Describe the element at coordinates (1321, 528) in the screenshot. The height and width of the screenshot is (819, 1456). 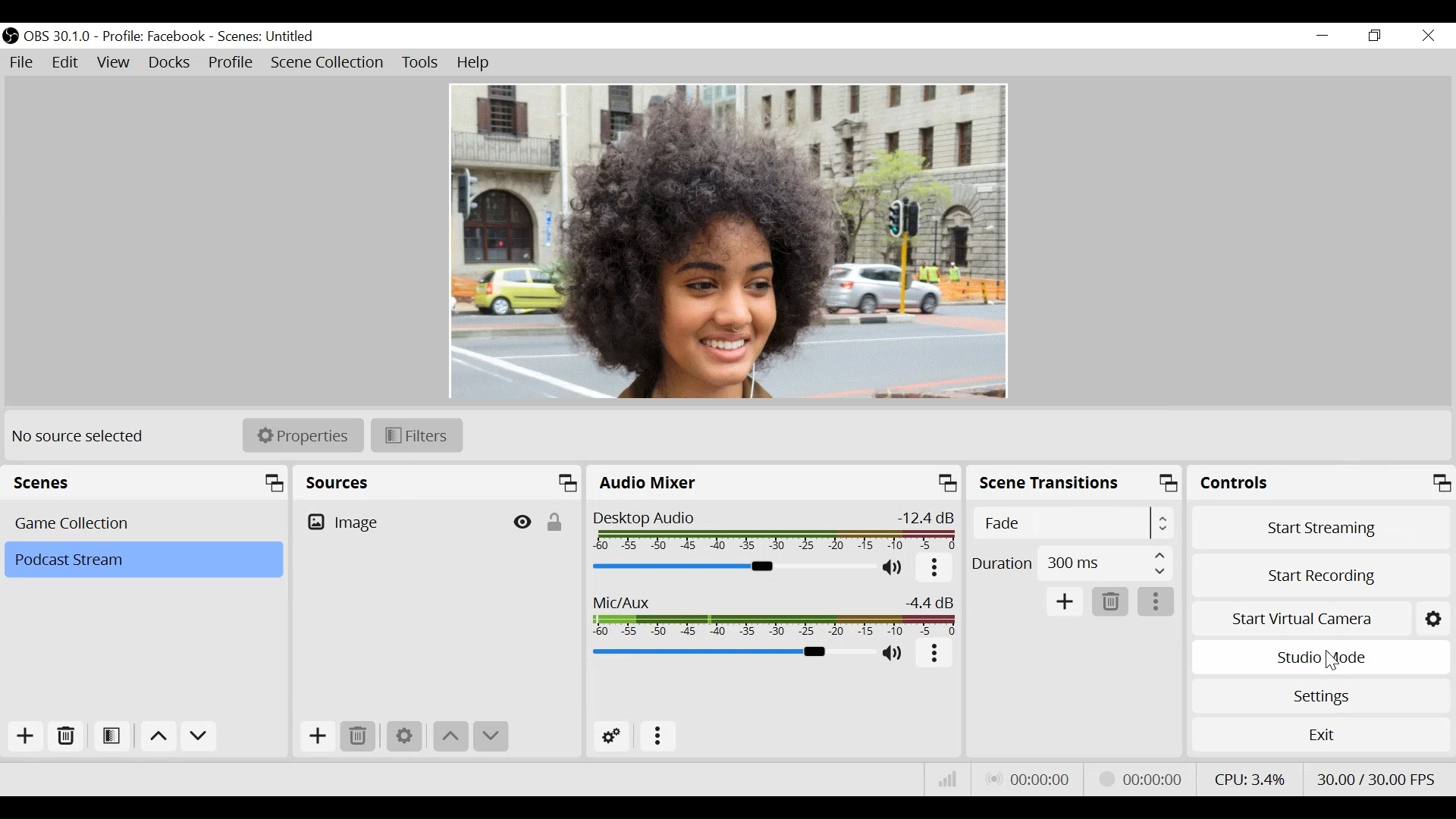
I see `Start Streaming` at that location.